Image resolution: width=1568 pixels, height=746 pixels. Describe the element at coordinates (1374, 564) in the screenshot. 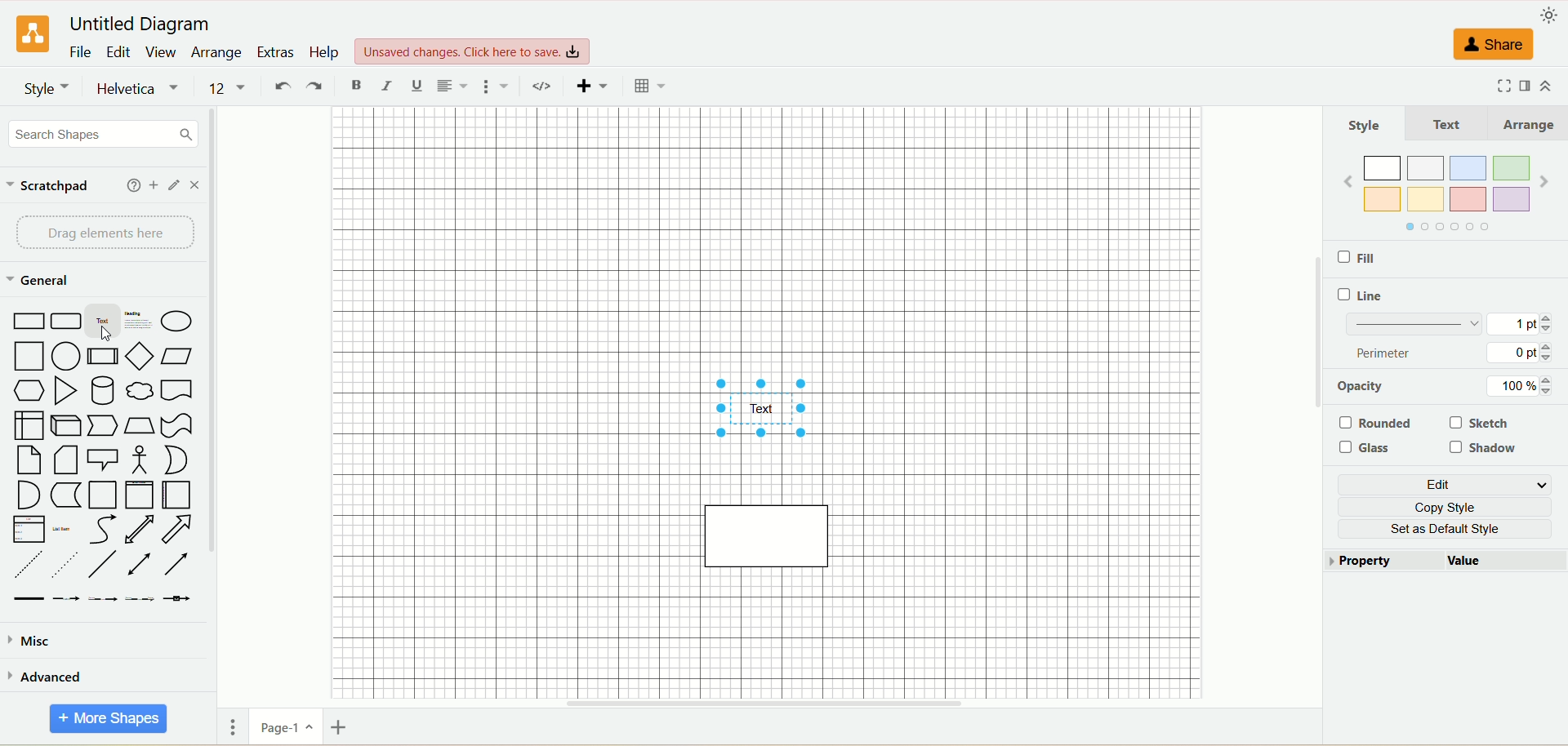

I see `property` at that location.